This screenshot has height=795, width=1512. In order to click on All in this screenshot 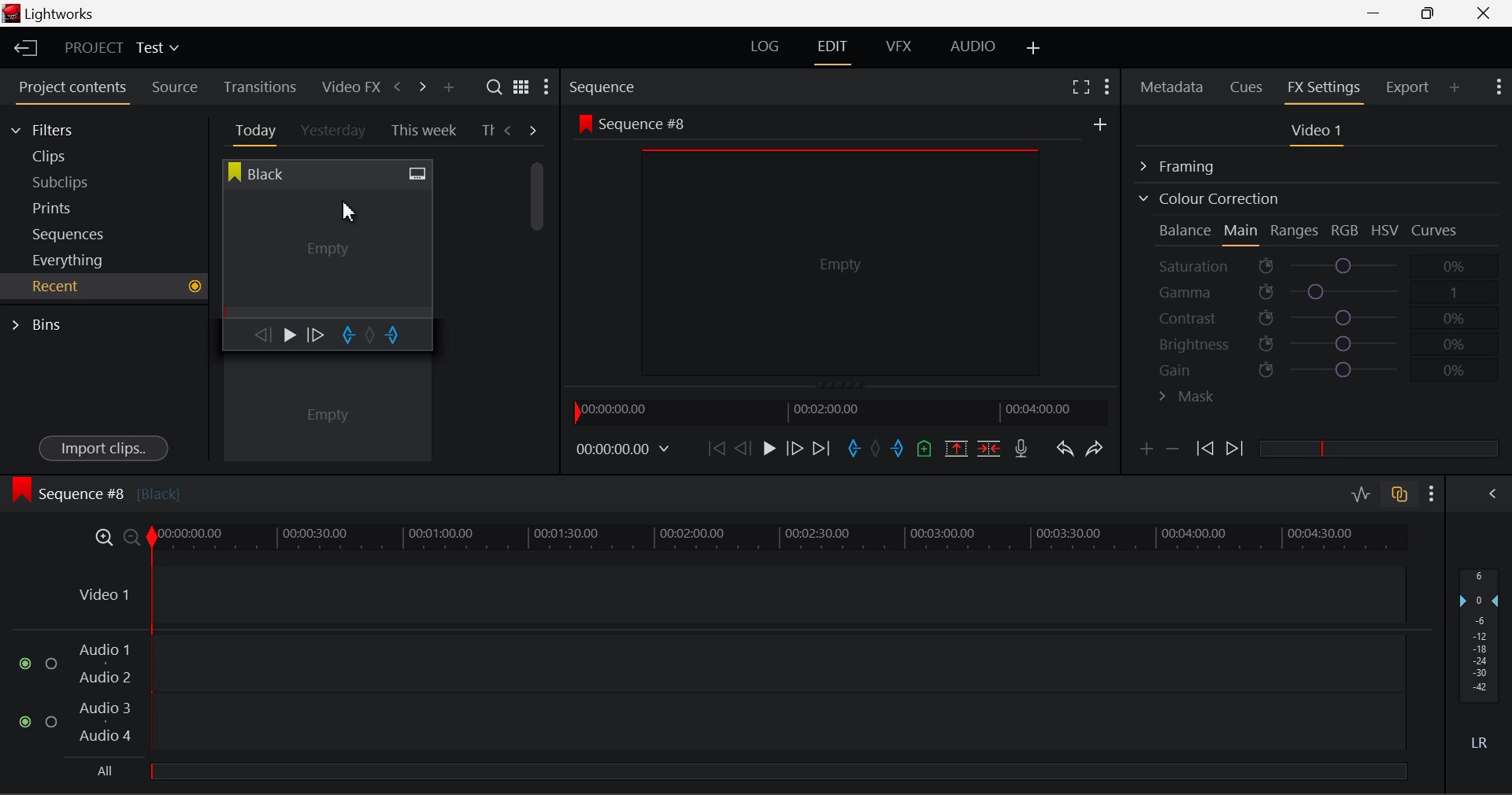, I will do `click(105, 771)`.